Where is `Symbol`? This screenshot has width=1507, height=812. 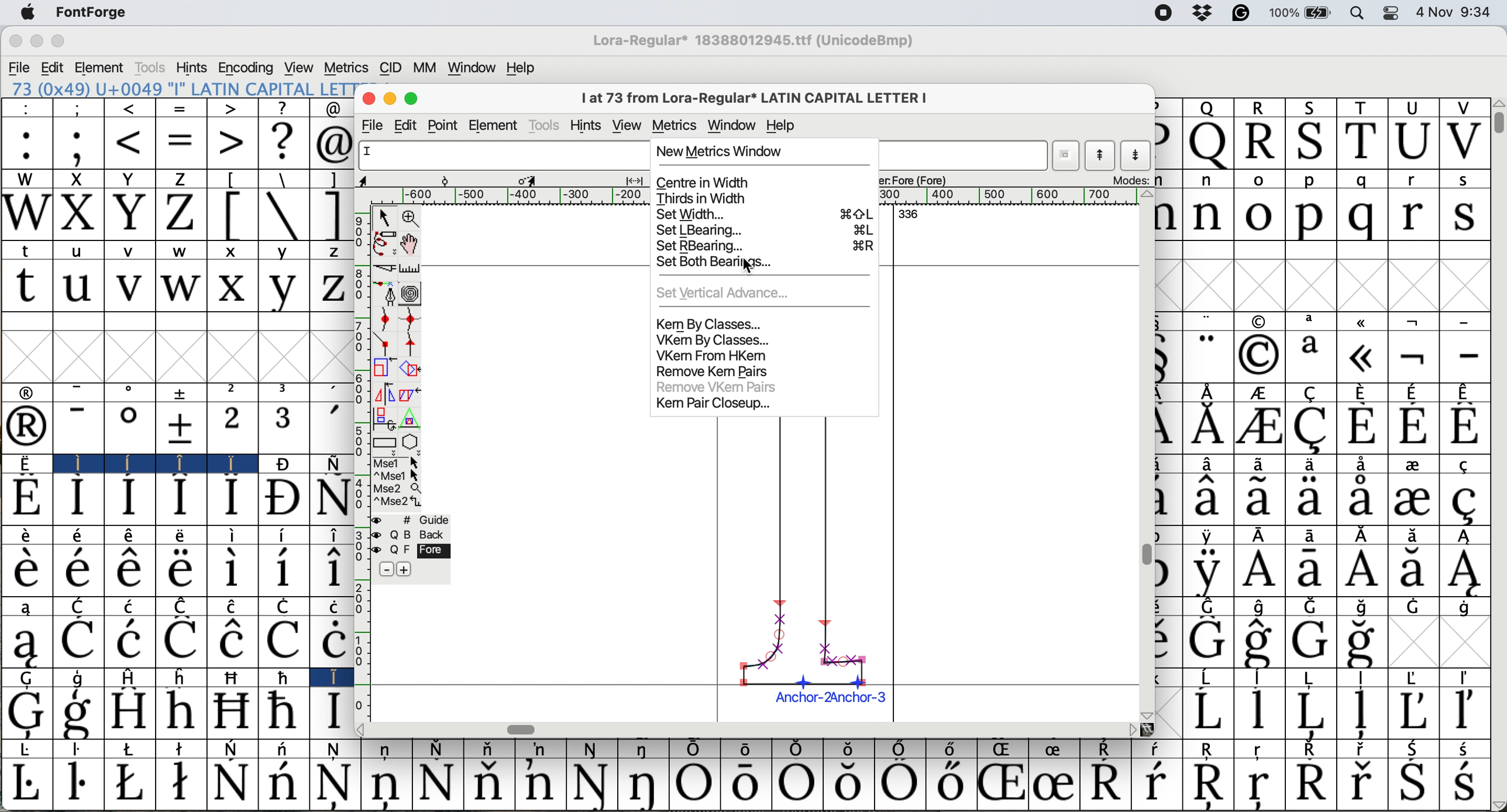
Symbol is located at coordinates (1000, 785).